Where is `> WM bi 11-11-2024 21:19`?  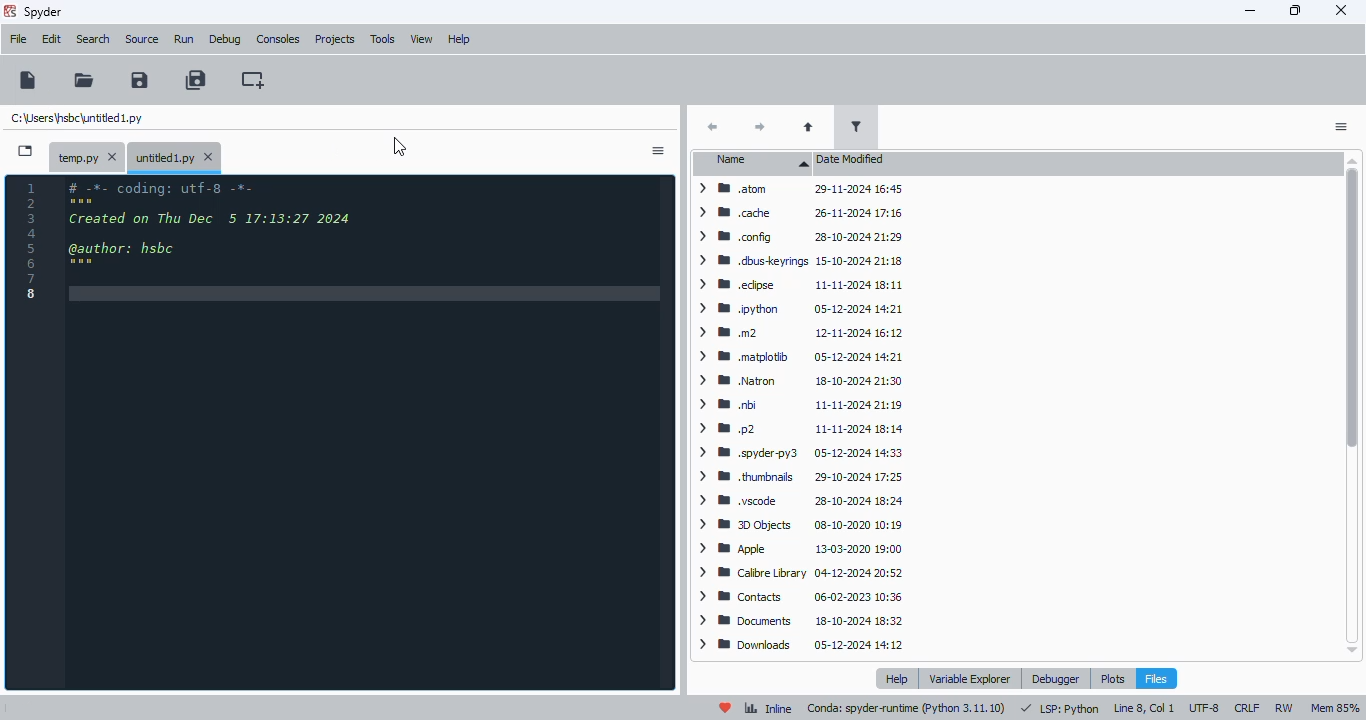 > WM bi 11-11-2024 21:19 is located at coordinates (800, 404).